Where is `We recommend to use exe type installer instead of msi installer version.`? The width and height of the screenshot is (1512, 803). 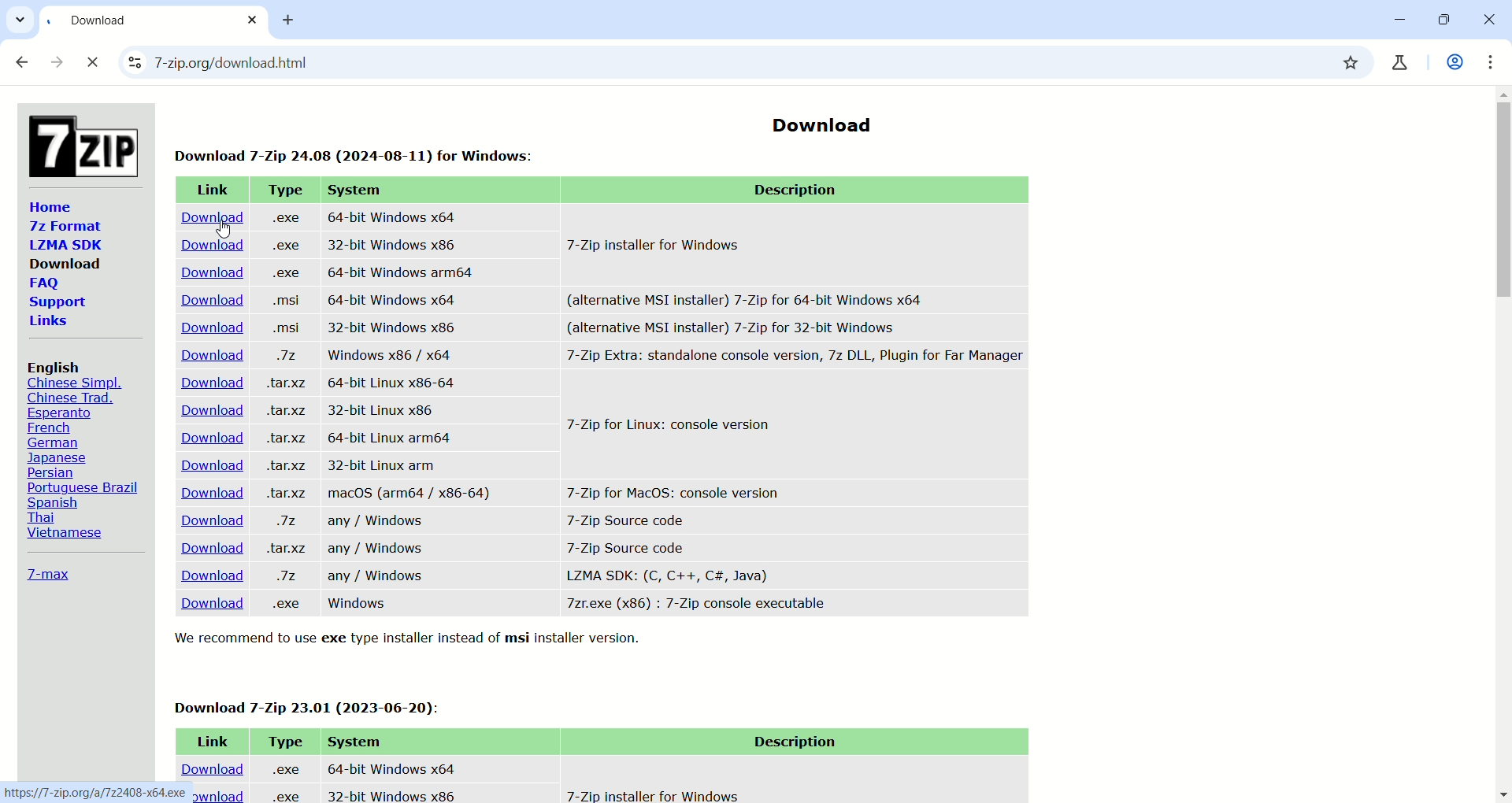
We recommend to use exe type installer instead of msi installer version. is located at coordinates (414, 639).